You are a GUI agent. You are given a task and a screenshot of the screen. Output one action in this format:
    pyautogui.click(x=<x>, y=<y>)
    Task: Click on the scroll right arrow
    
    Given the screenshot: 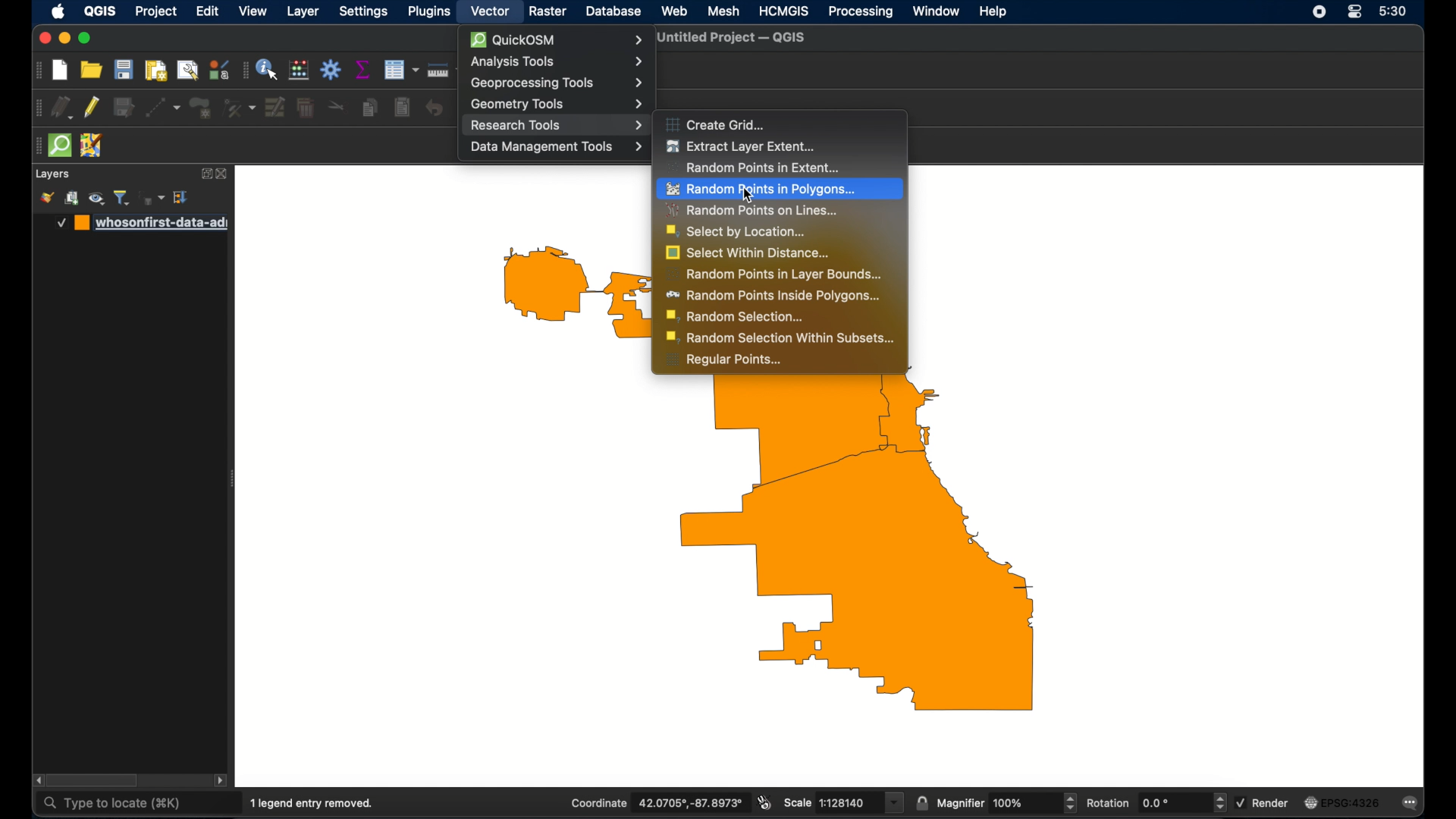 What is the action you would take?
    pyautogui.click(x=223, y=781)
    